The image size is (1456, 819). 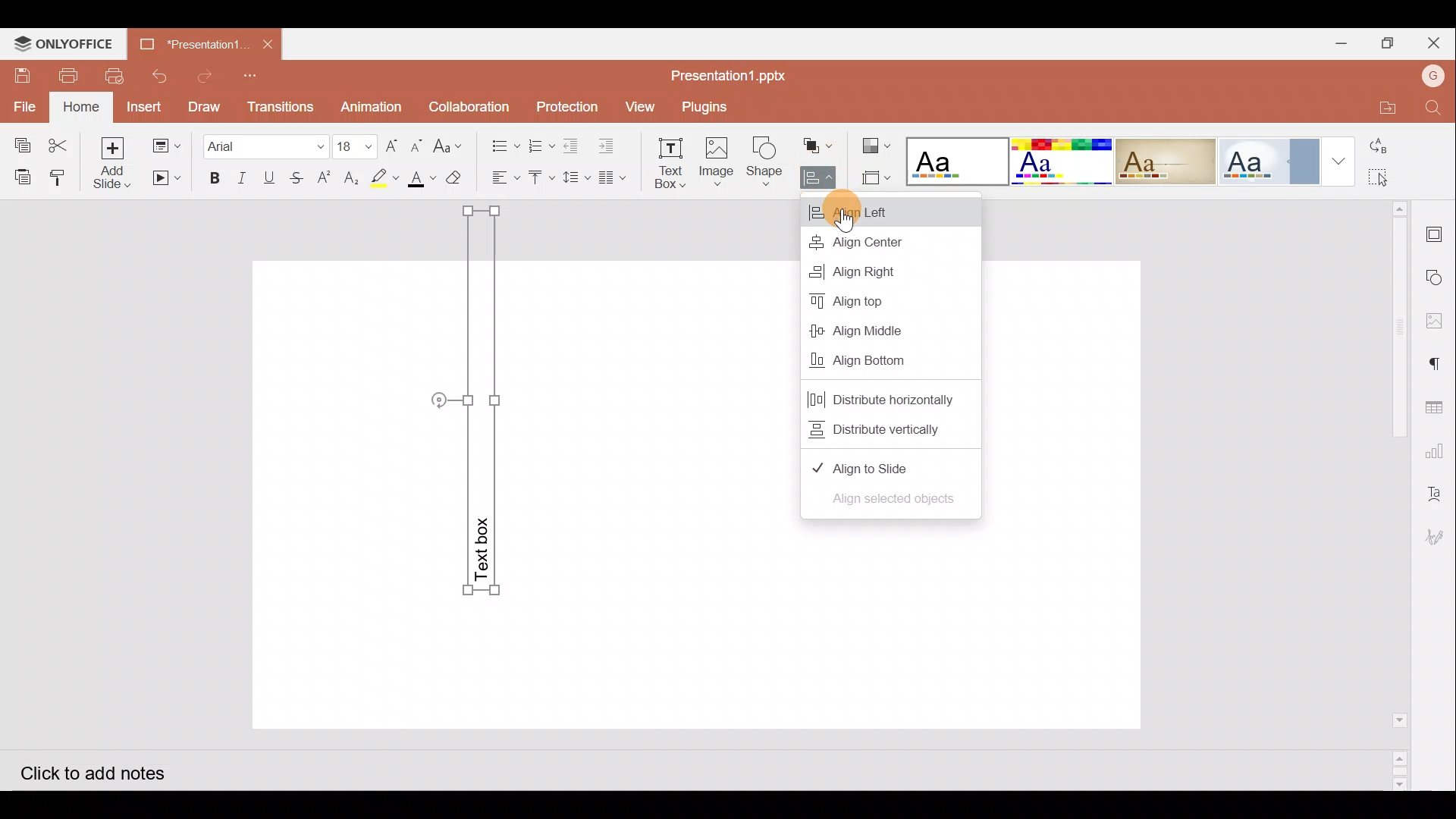 I want to click on Close document, so click(x=267, y=42).